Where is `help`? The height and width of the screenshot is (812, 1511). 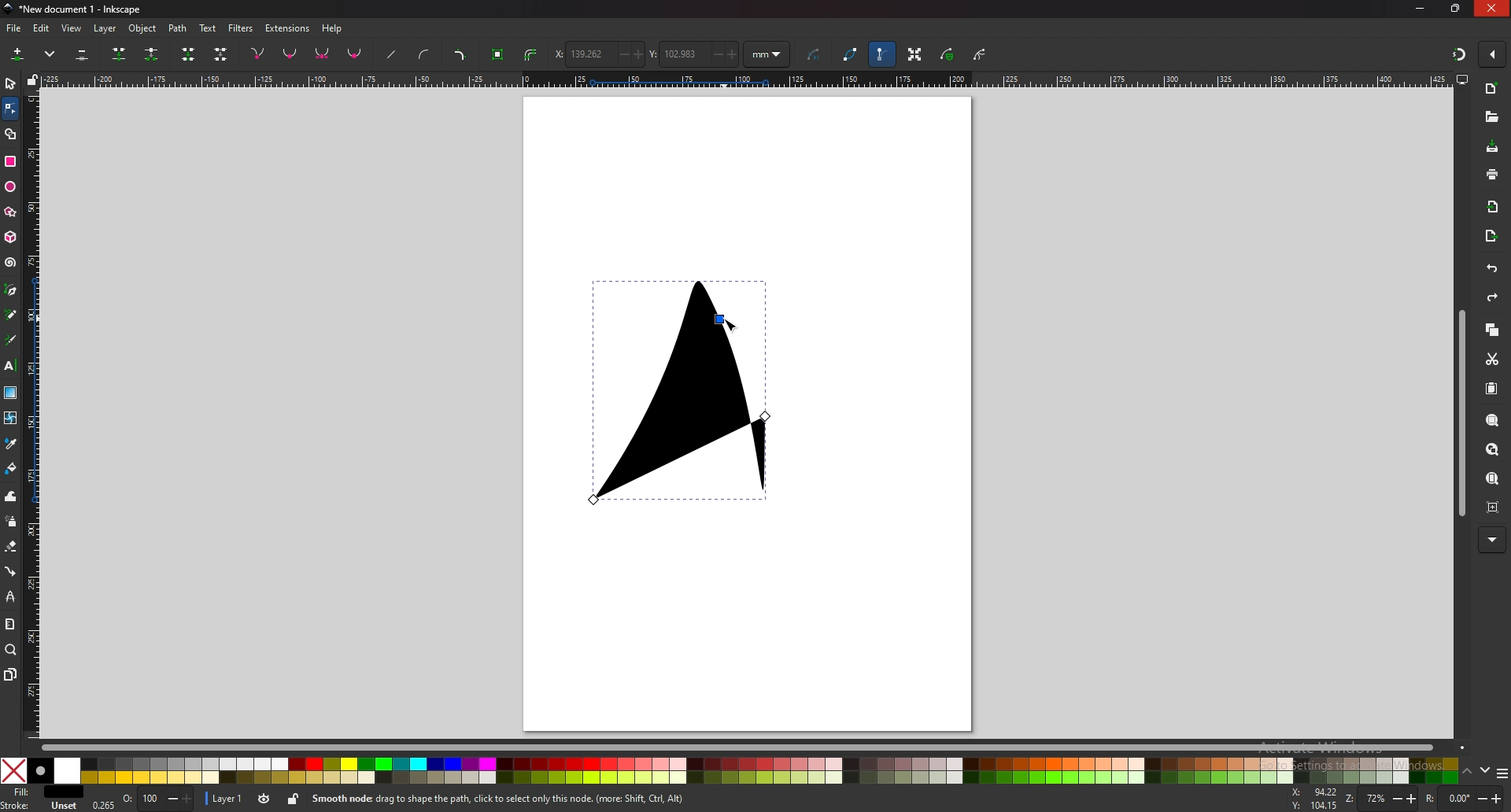
help is located at coordinates (332, 29).